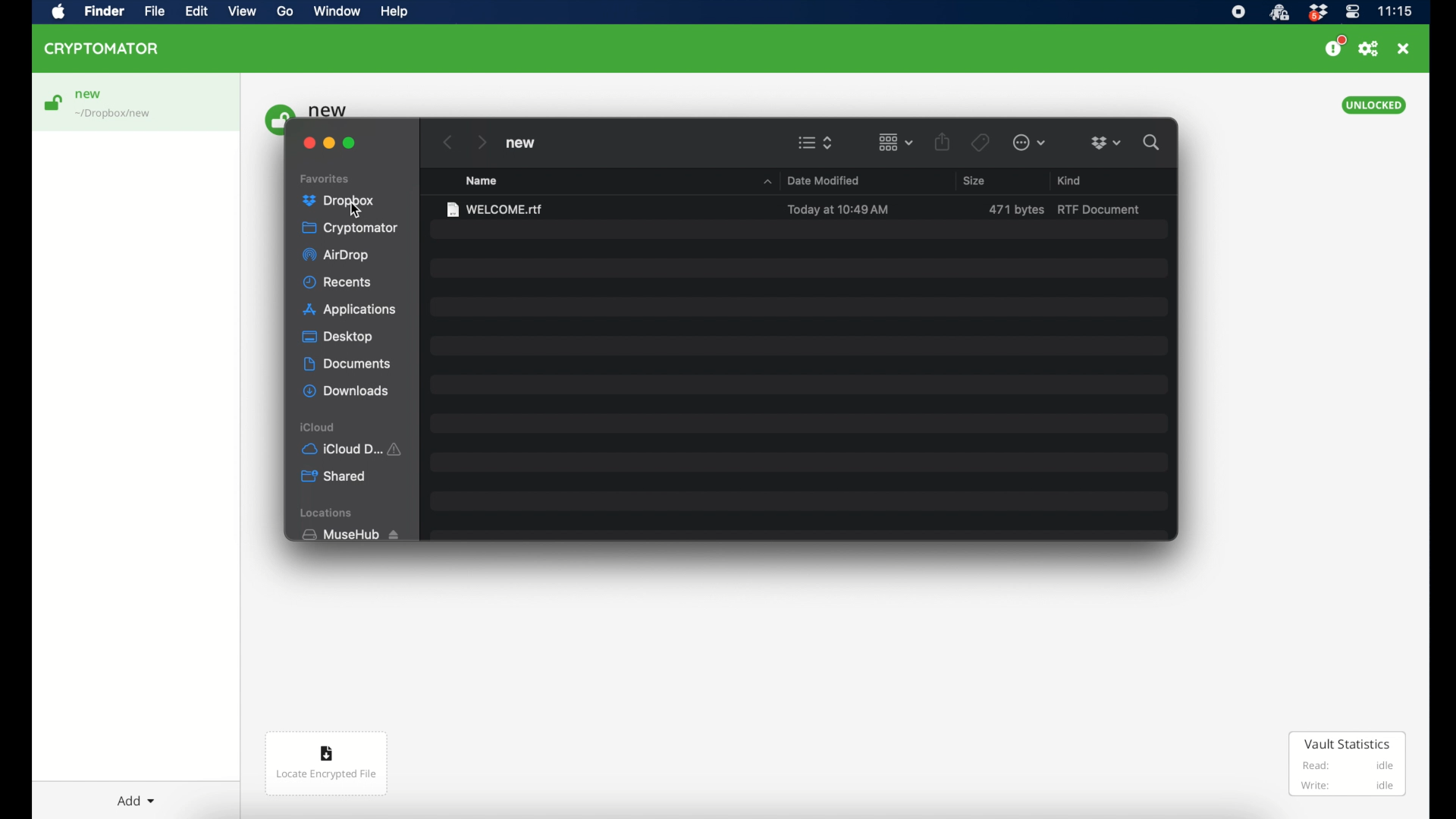 This screenshot has height=819, width=1456. I want to click on unlock, so click(52, 102).